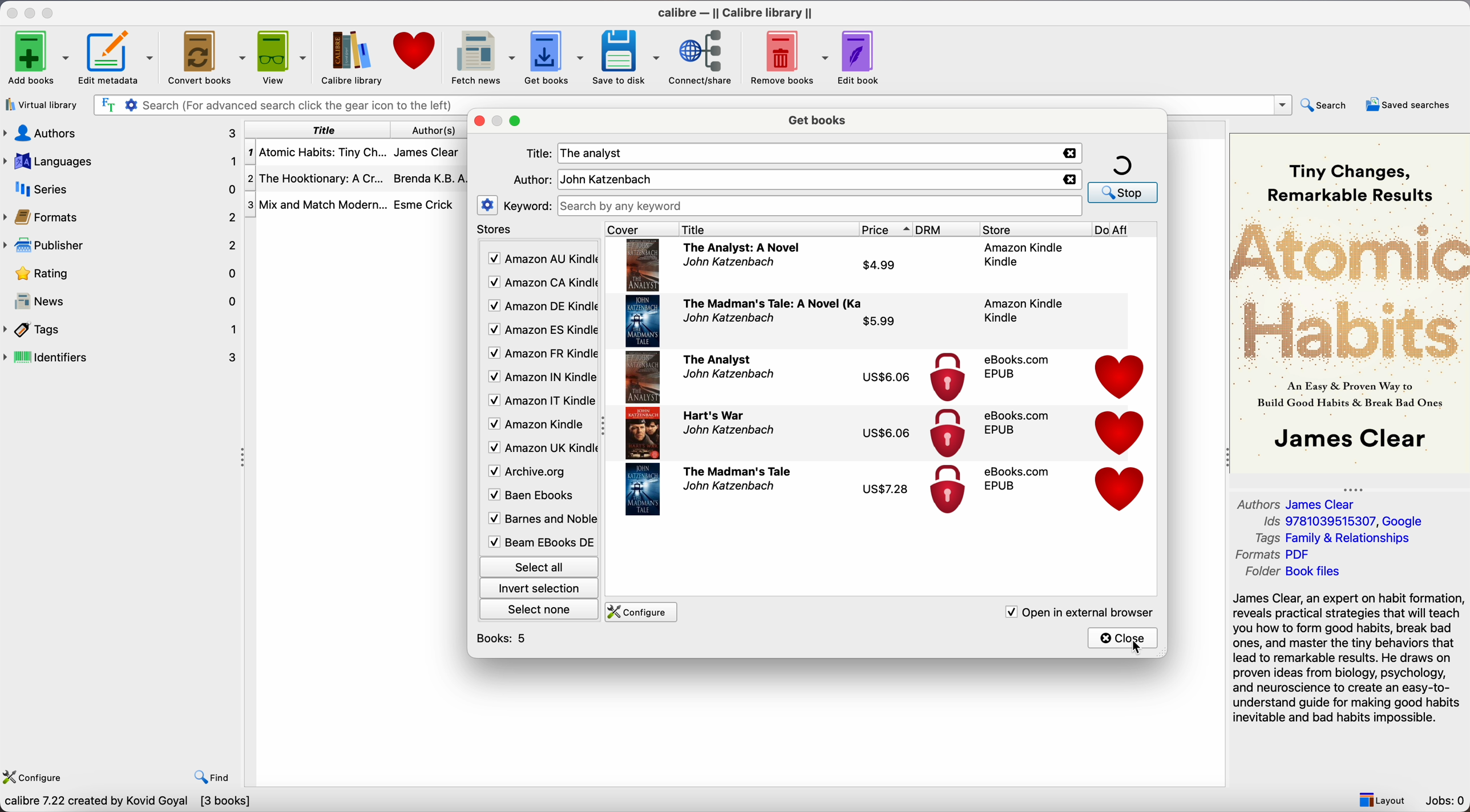 The height and width of the screenshot is (812, 1470). What do you see at coordinates (123, 273) in the screenshot?
I see `rating` at bounding box center [123, 273].